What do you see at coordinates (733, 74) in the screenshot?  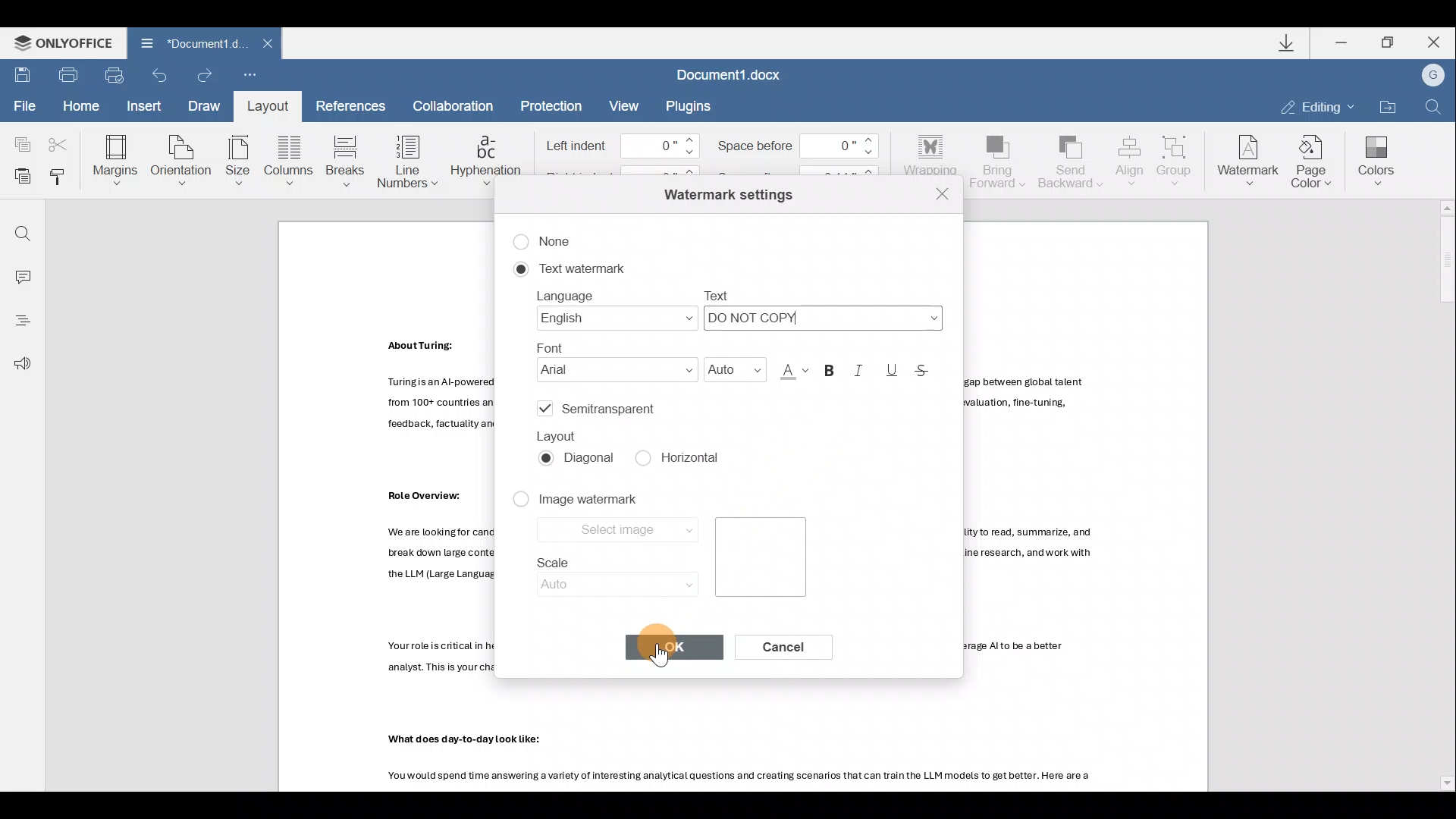 I see `Document1.docx` at bounding box center [733, 74].